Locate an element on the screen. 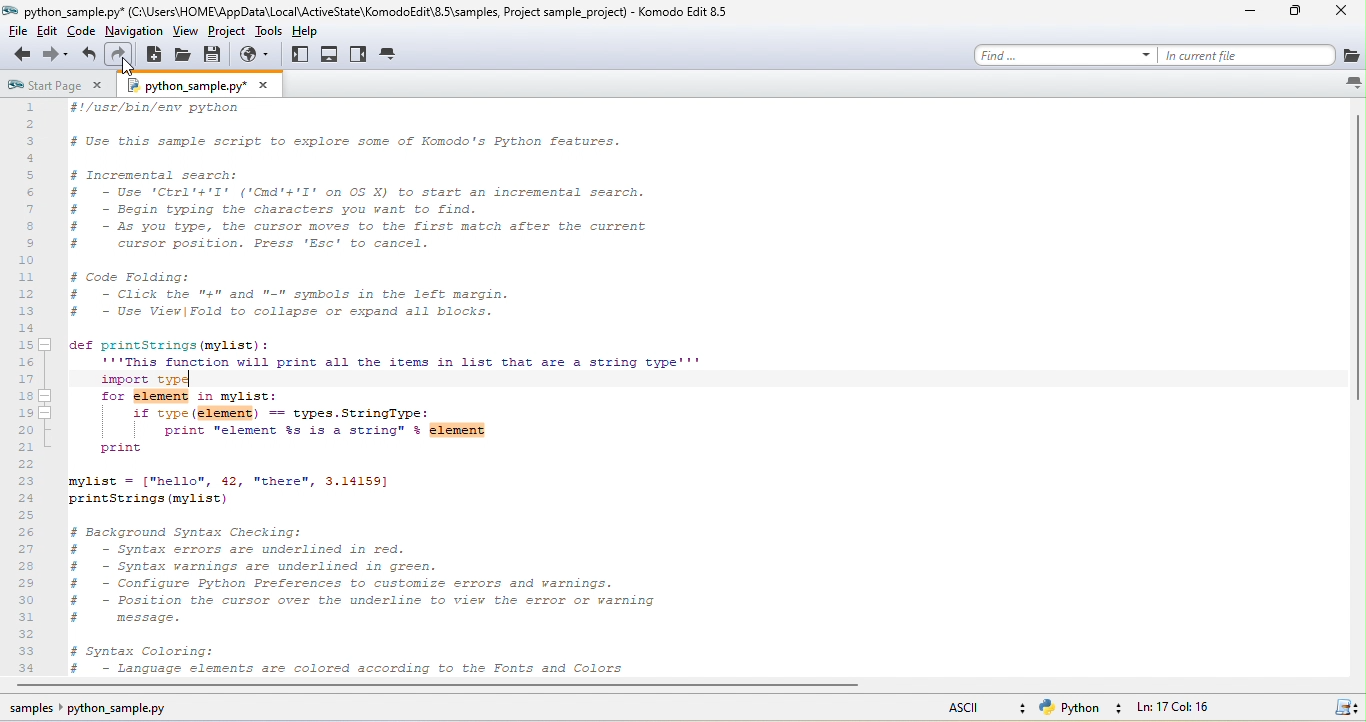 The image size is (1366, 722). show /hide bottom pane is located at coordinates (332, 55).